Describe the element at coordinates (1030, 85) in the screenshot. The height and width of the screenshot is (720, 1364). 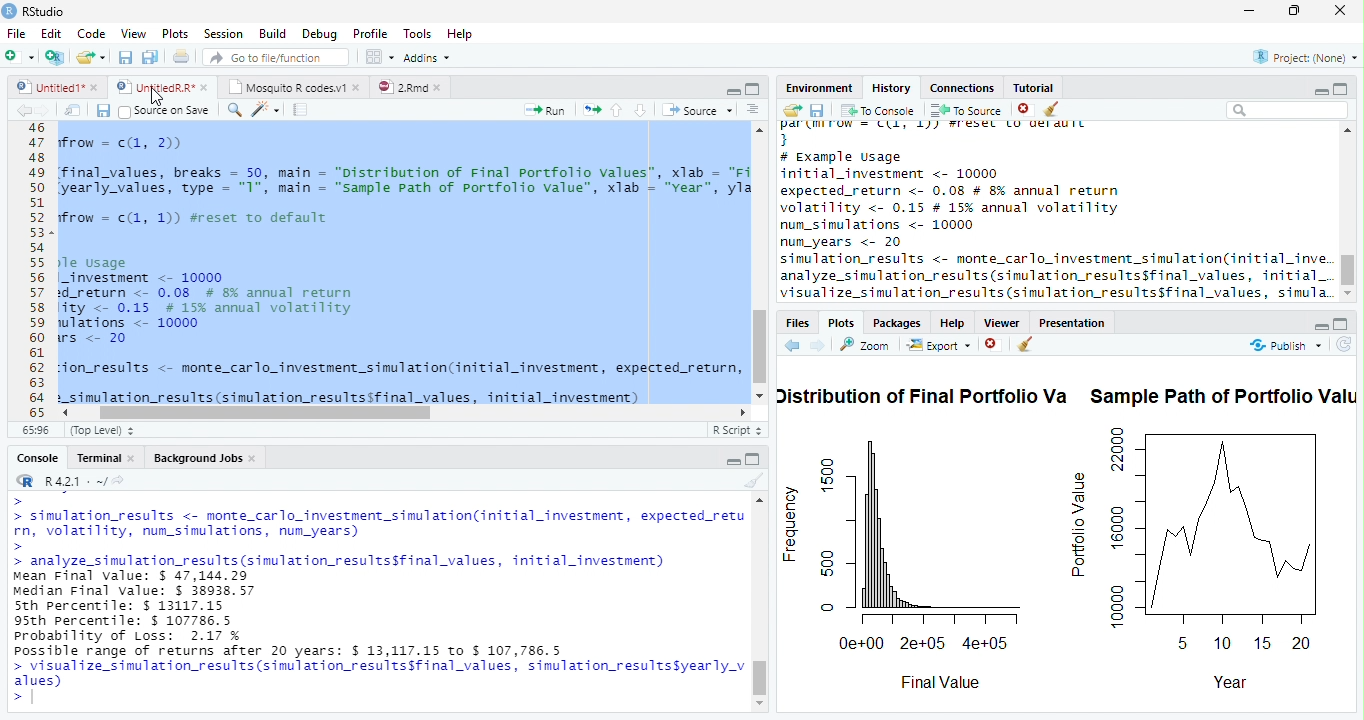
I see `Tutorial` at that location.